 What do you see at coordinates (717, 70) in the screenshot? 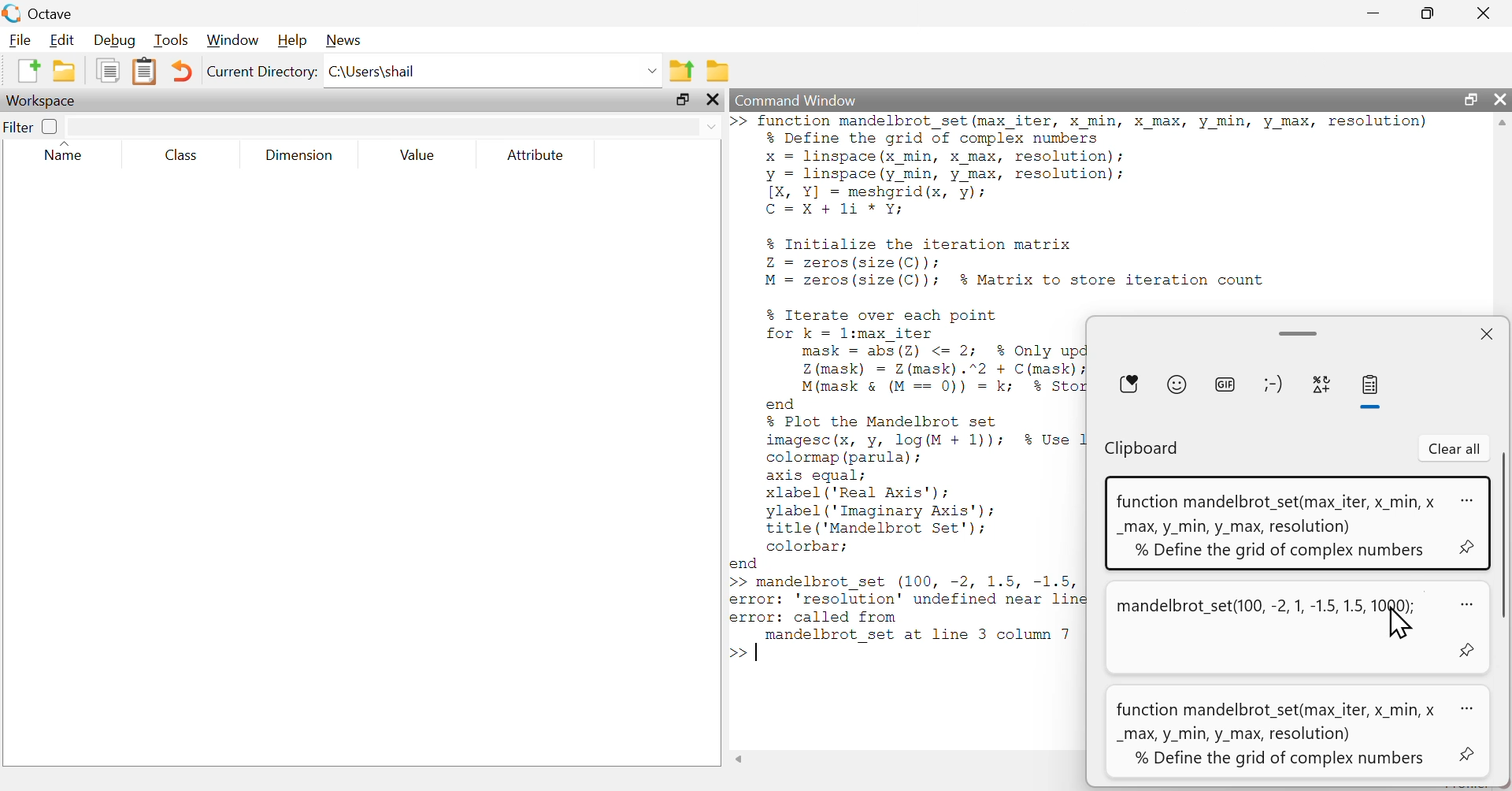
I see `Browse directories` at bounding box center [717, 70].